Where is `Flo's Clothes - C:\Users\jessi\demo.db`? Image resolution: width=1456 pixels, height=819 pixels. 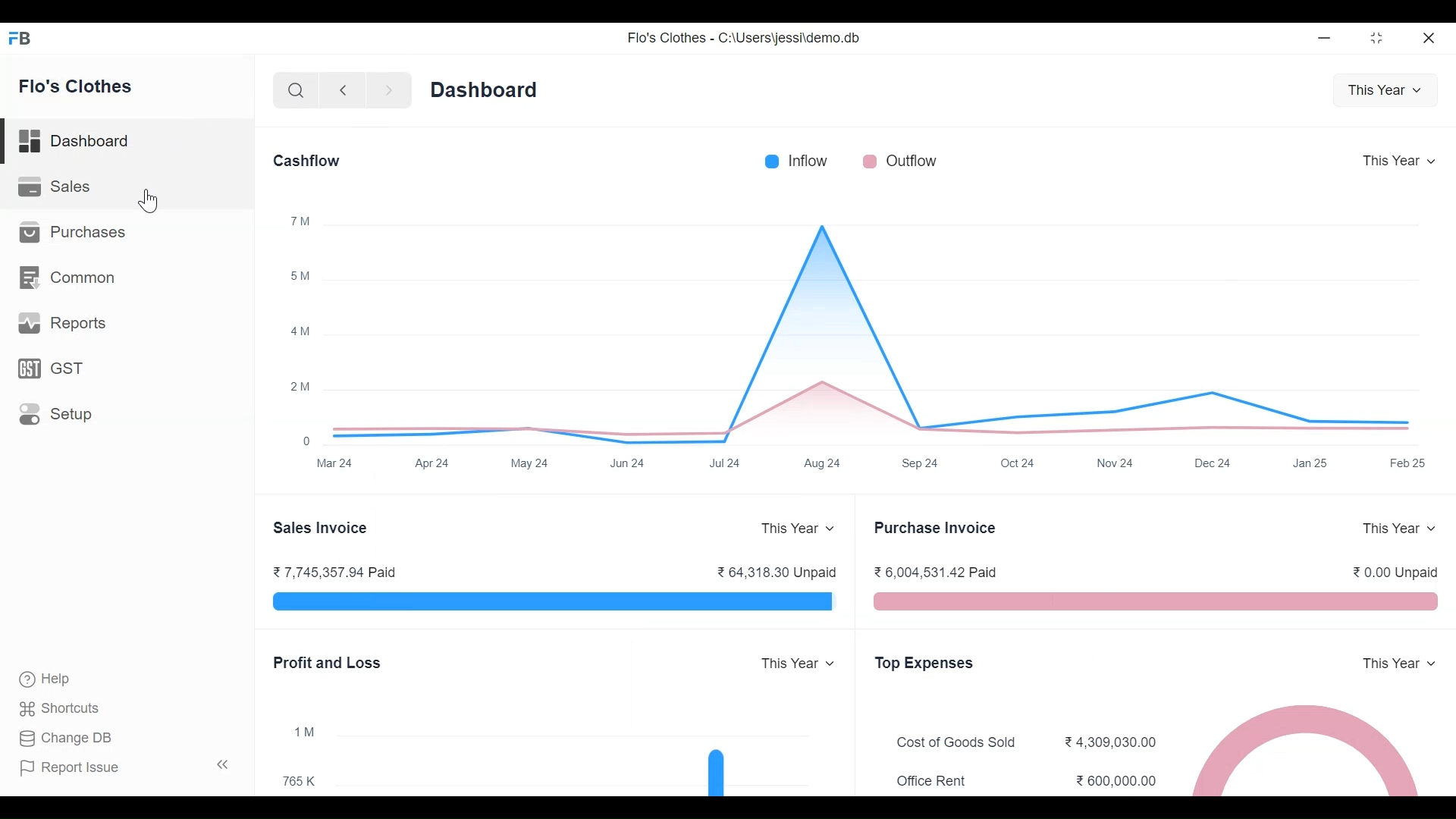 Flo's Clothes - C:\Users\jessi\demo.db is located at coordinates (746, 39).